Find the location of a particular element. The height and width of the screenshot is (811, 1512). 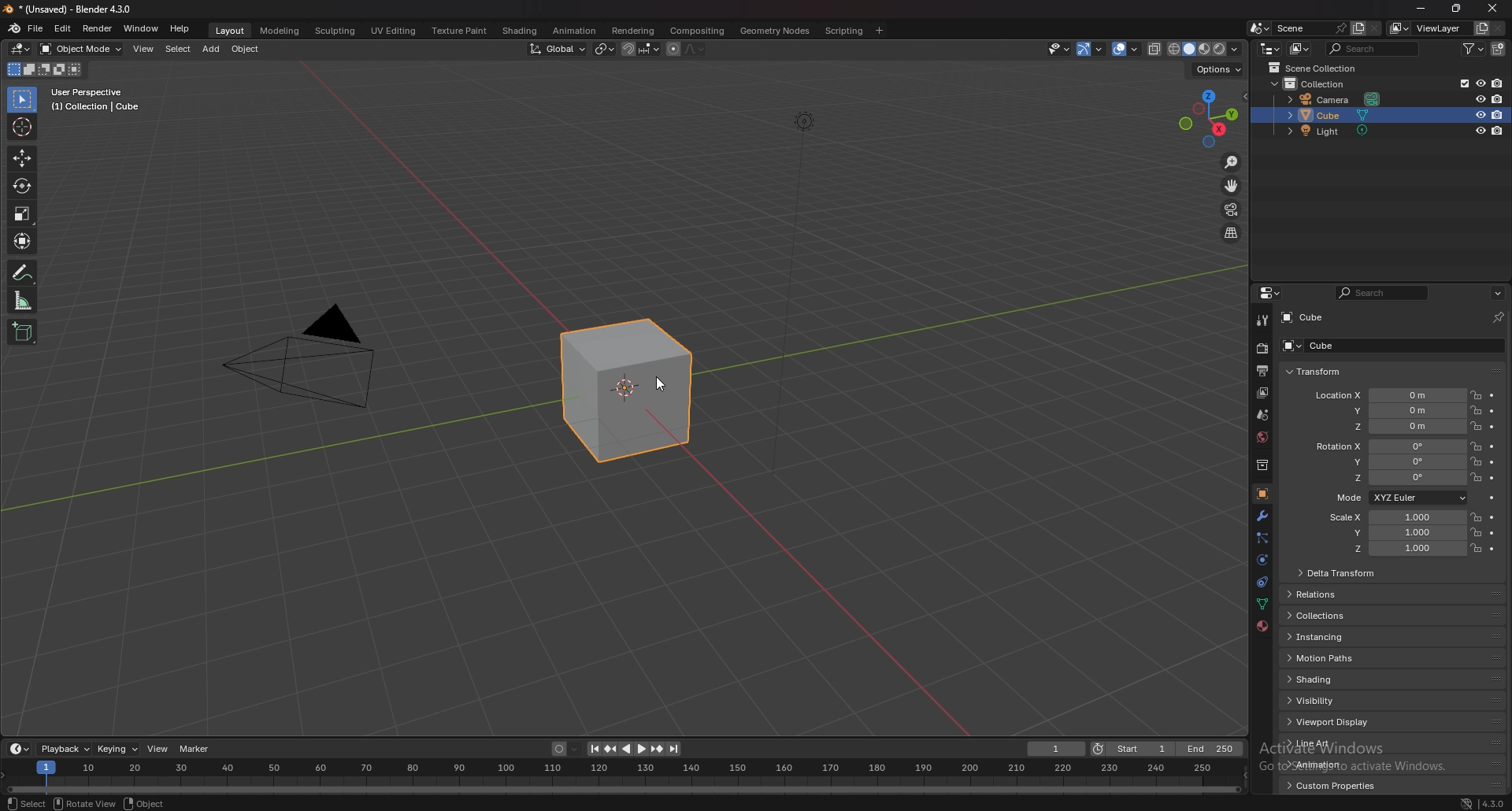

help is located at coordinates (180, 29).